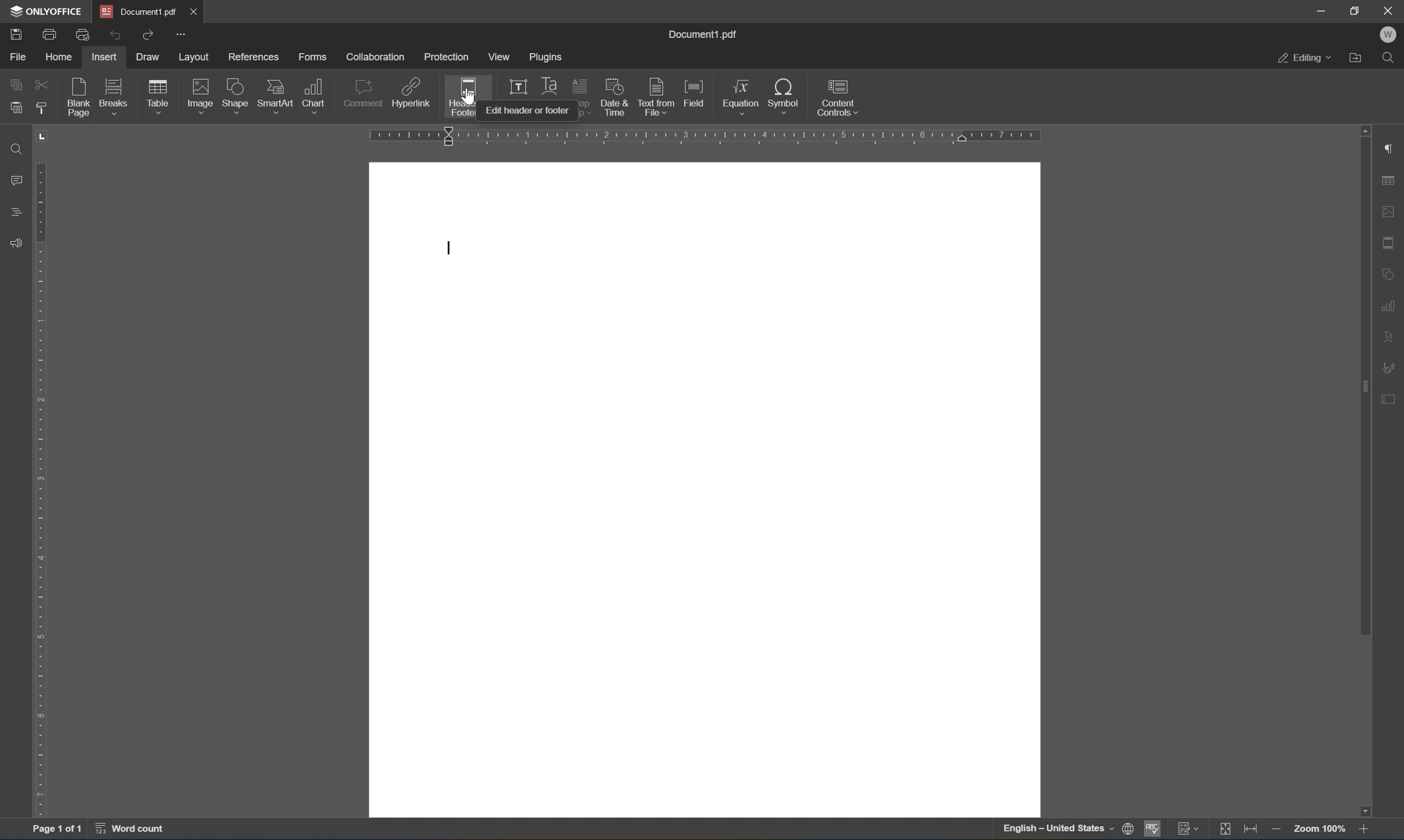  What do you see at coordinates (1391, 272) in the screenshot?
I see `shape settings` at bounding box center [1391, 272].